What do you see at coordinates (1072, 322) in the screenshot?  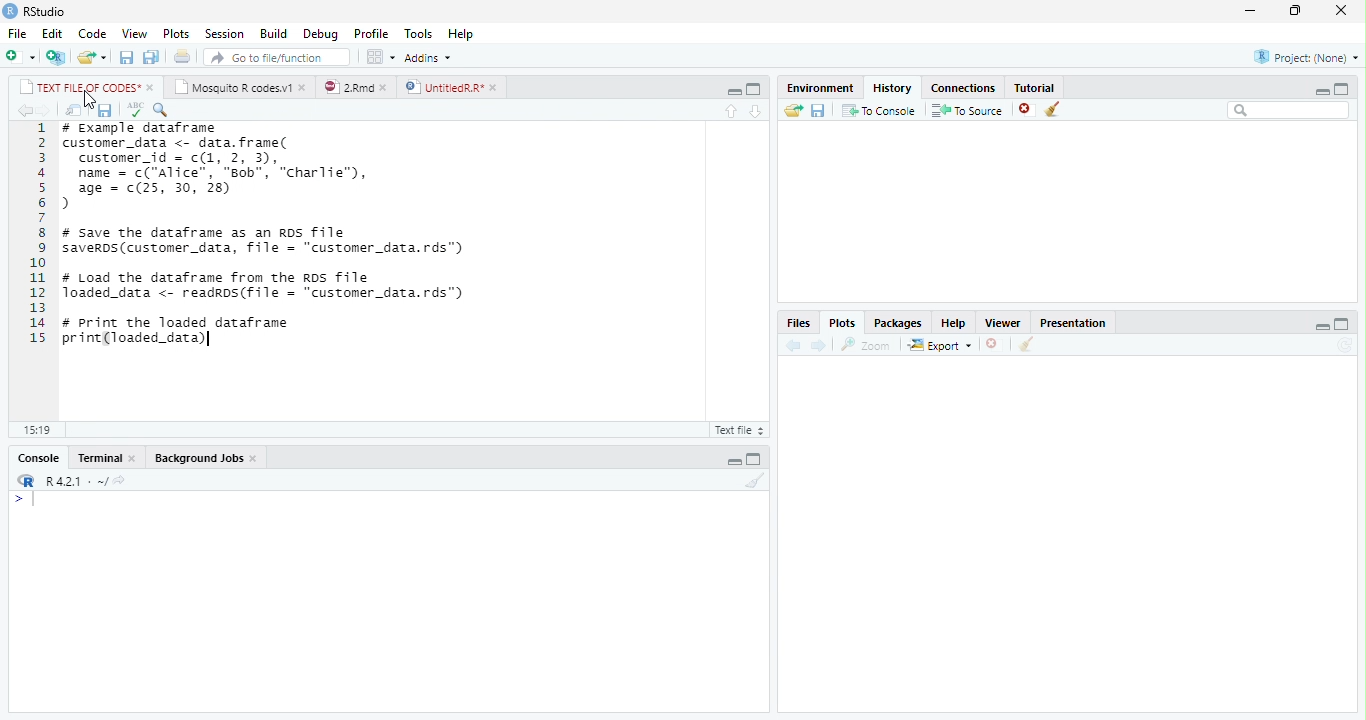 I see `Presentation` at bounding box center [1072, 322].